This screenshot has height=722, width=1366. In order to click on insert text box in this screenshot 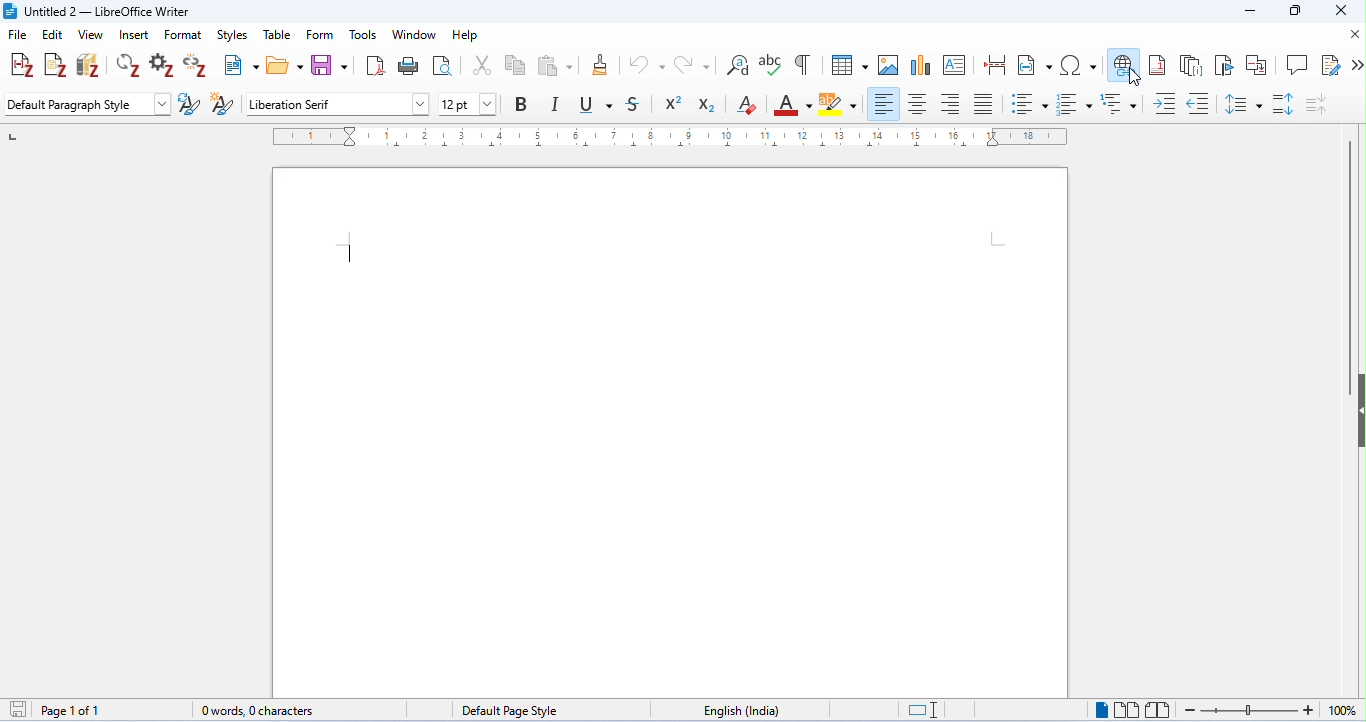, I will do `click(959, 66)`.